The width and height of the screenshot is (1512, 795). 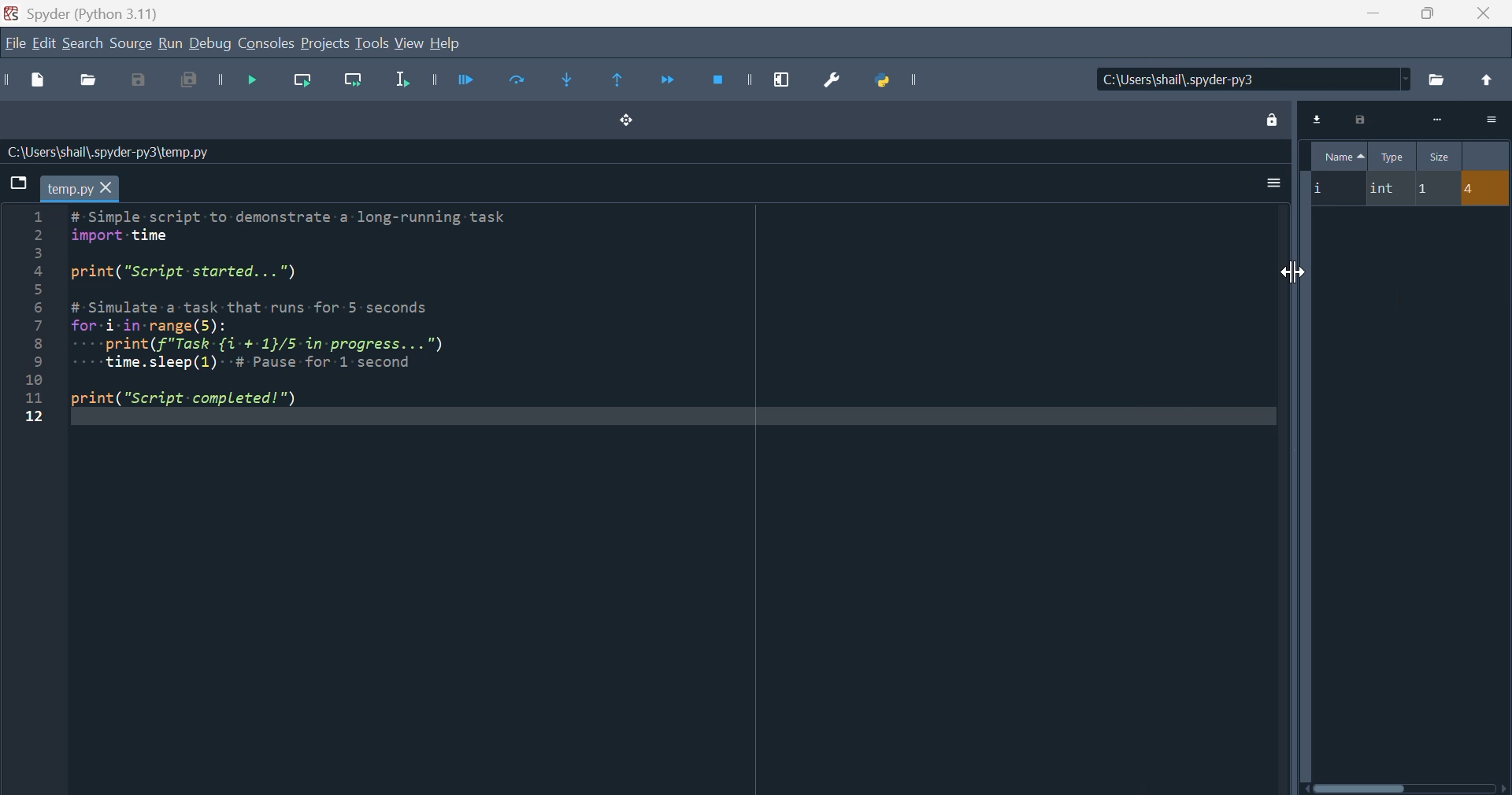 I want to click on 1, so click(x=1432, y=189).